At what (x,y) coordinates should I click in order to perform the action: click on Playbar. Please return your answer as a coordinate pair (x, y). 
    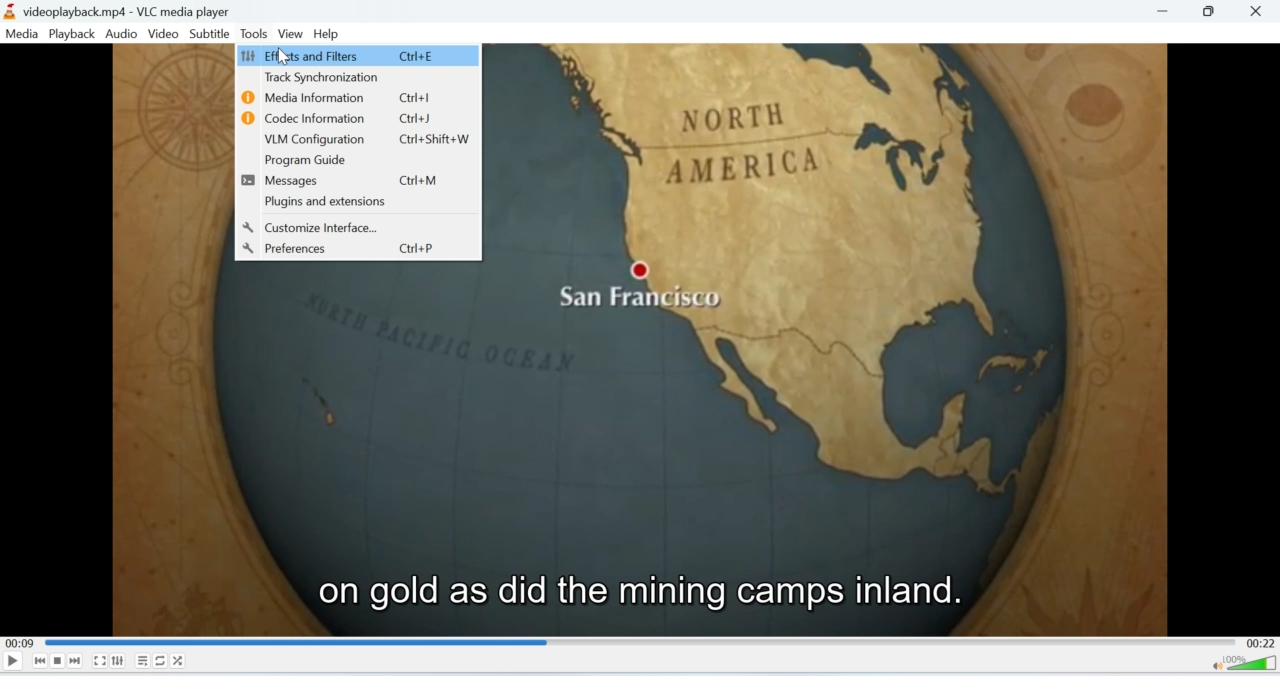
    Looking at the image, I should click on (640, 641).